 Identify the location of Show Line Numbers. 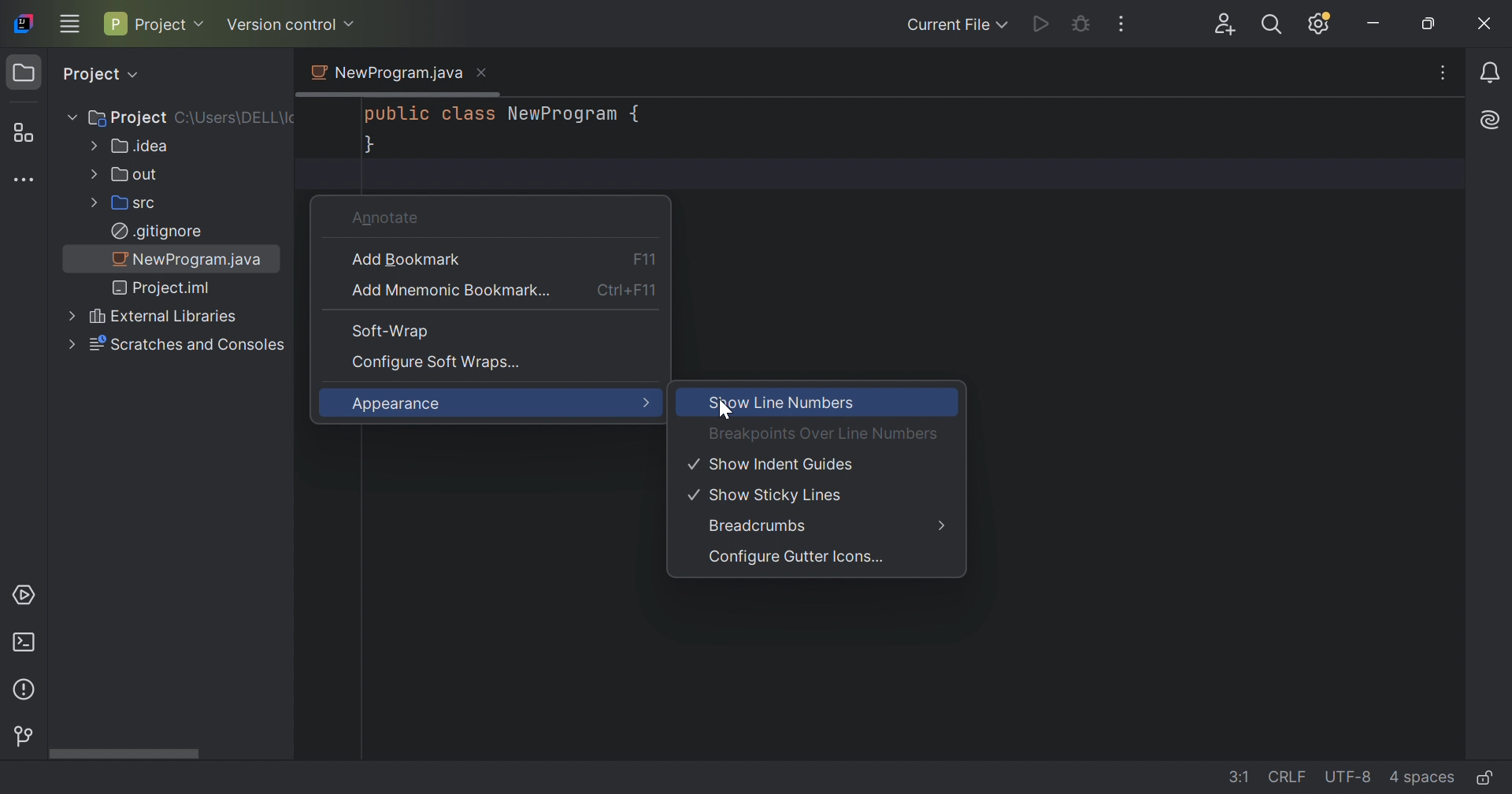
(783, 403).